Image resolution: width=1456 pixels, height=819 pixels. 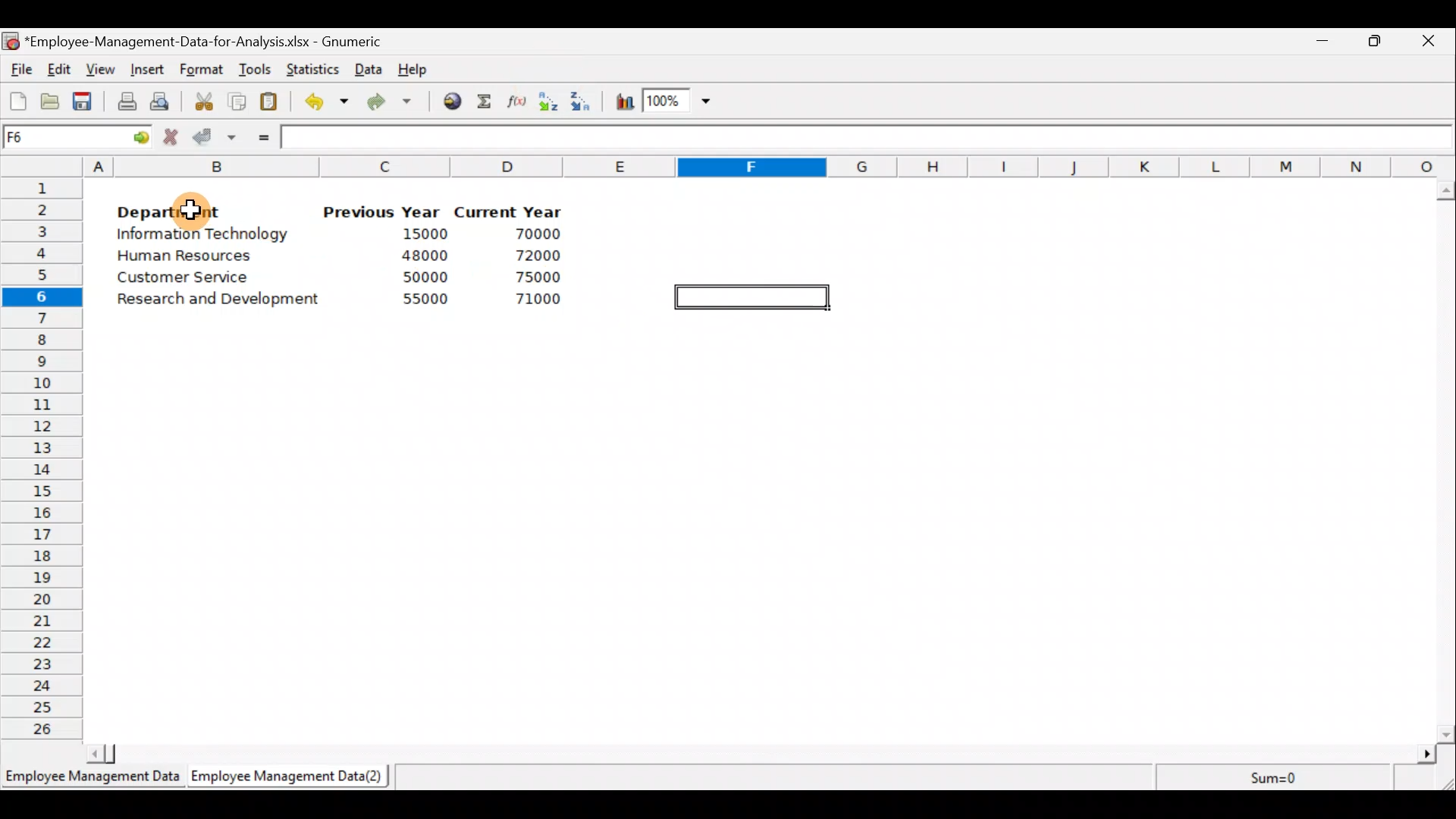 What do you see at coordinates (1375, 40) in the screenshot?
I see `Maximize` at bounding box center [1375, 40].